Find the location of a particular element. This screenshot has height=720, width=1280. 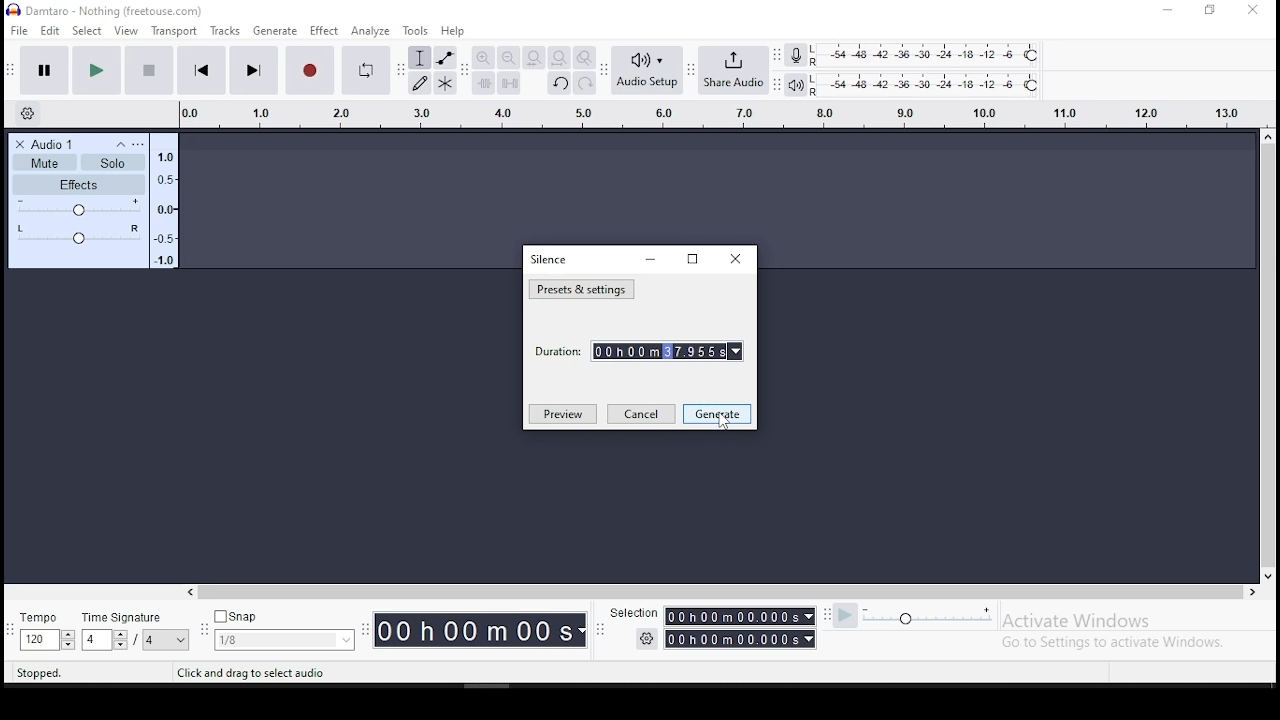

select is located at coordinates (89, 31).